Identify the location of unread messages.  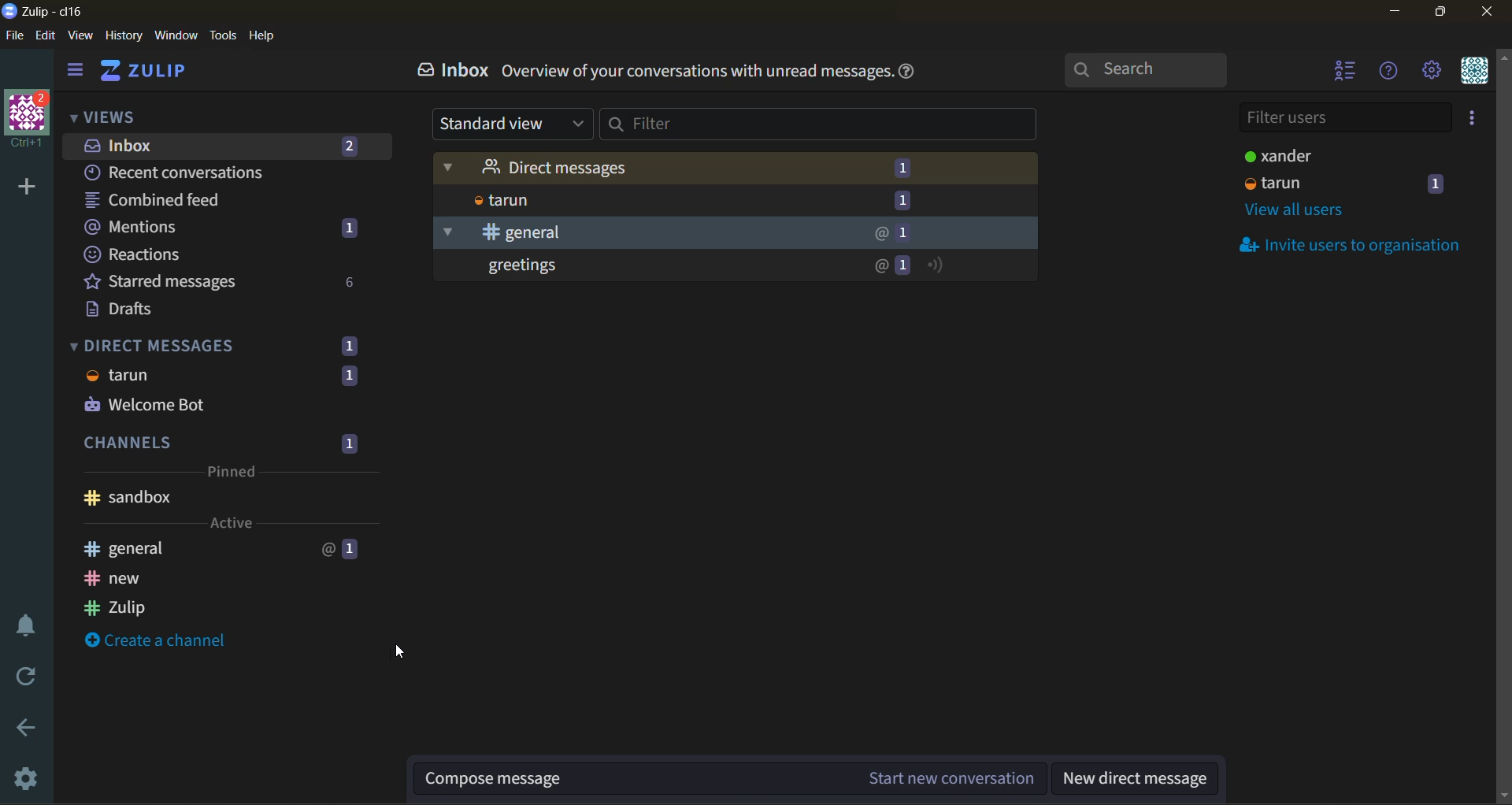
(737, 268).